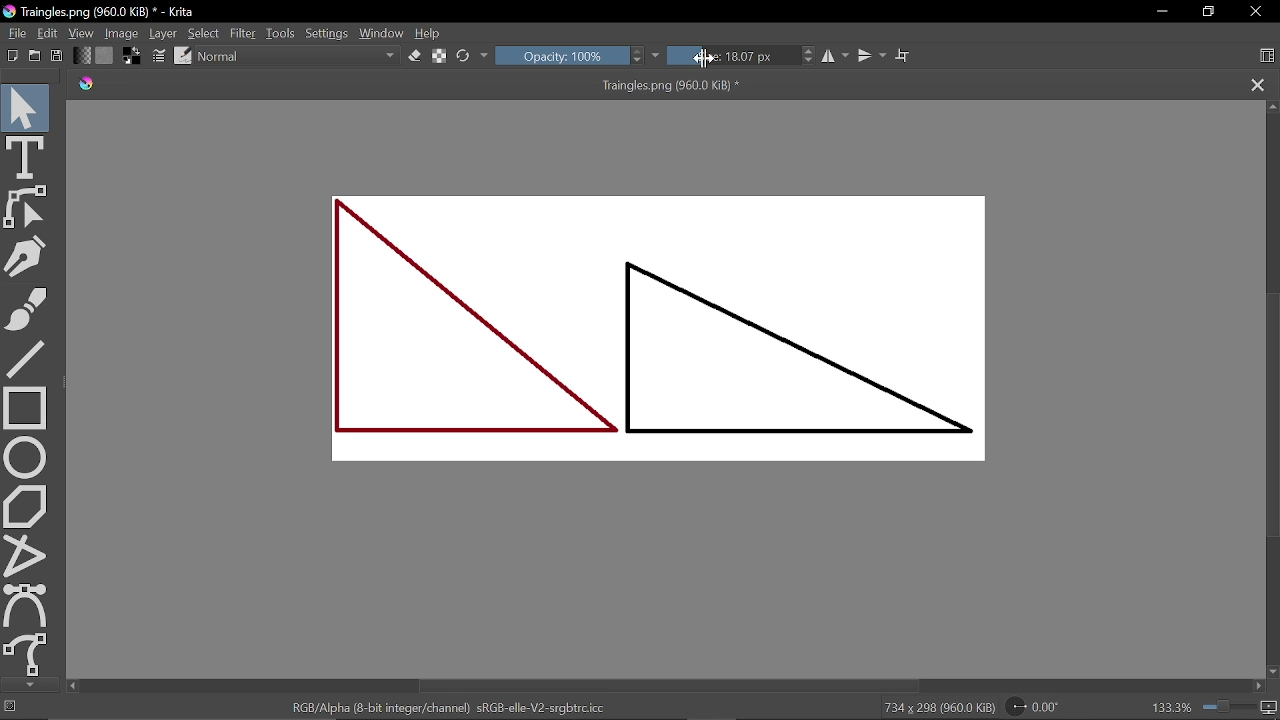 The width and height of the screenshot is (1280, 720). Describe the element at coordinates (35, 56) in the screenshot. I see `Open as existing document` at that location.